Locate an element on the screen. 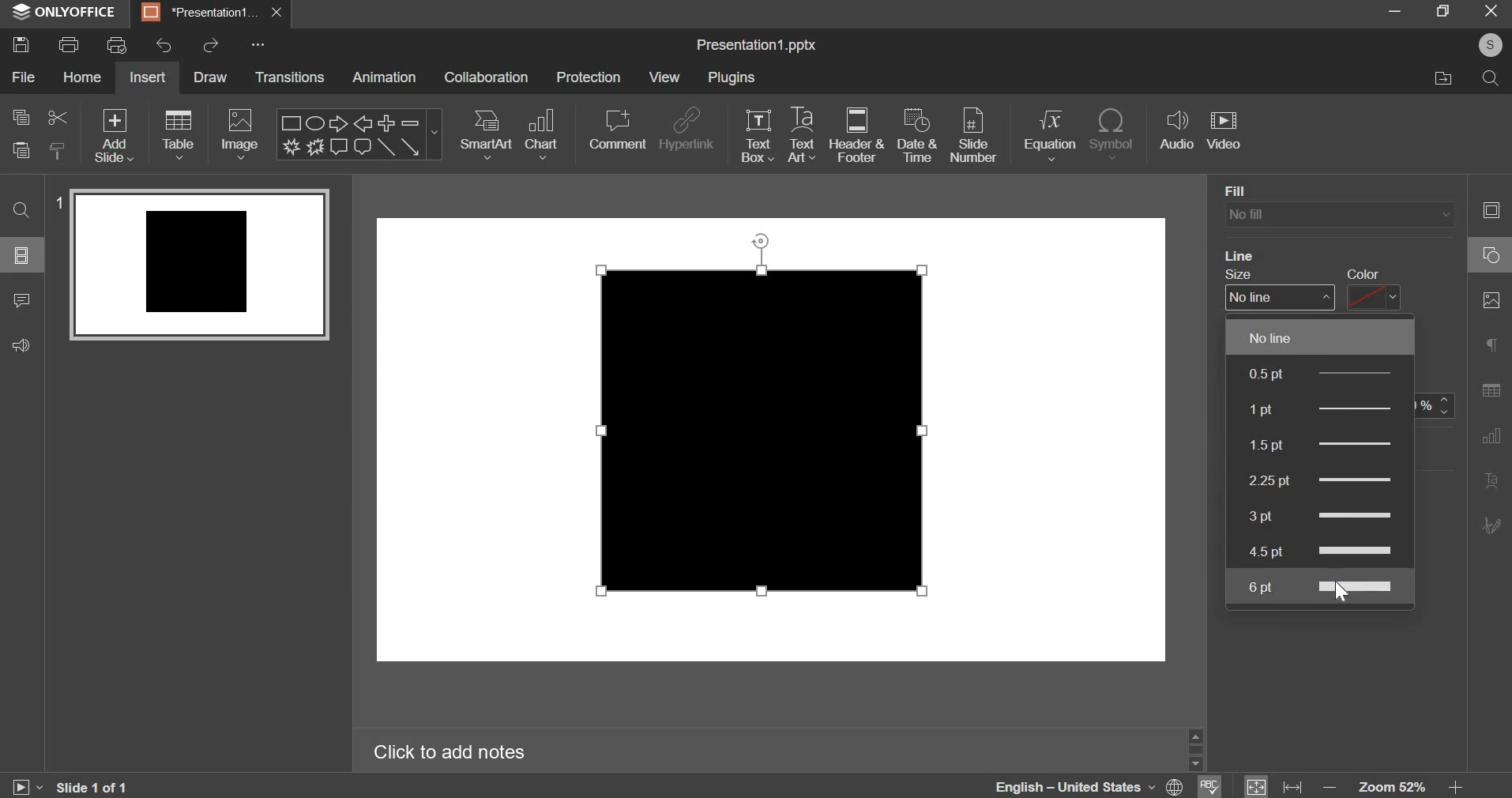 The image size is (1512, 798). collaboration is located at coordinates (485, 77).